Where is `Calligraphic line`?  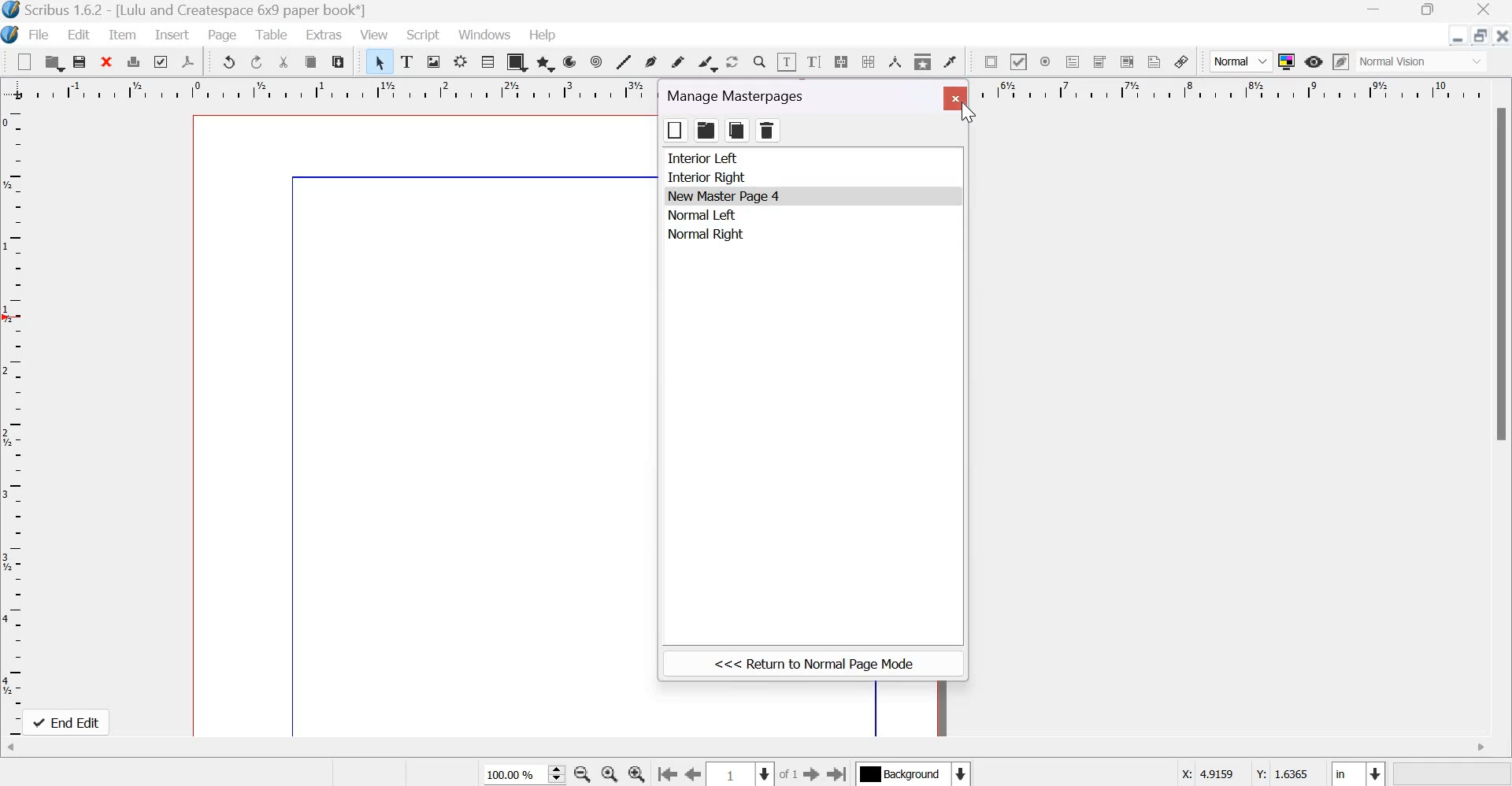
Calligraphic line is located at coordinates (707, 61).